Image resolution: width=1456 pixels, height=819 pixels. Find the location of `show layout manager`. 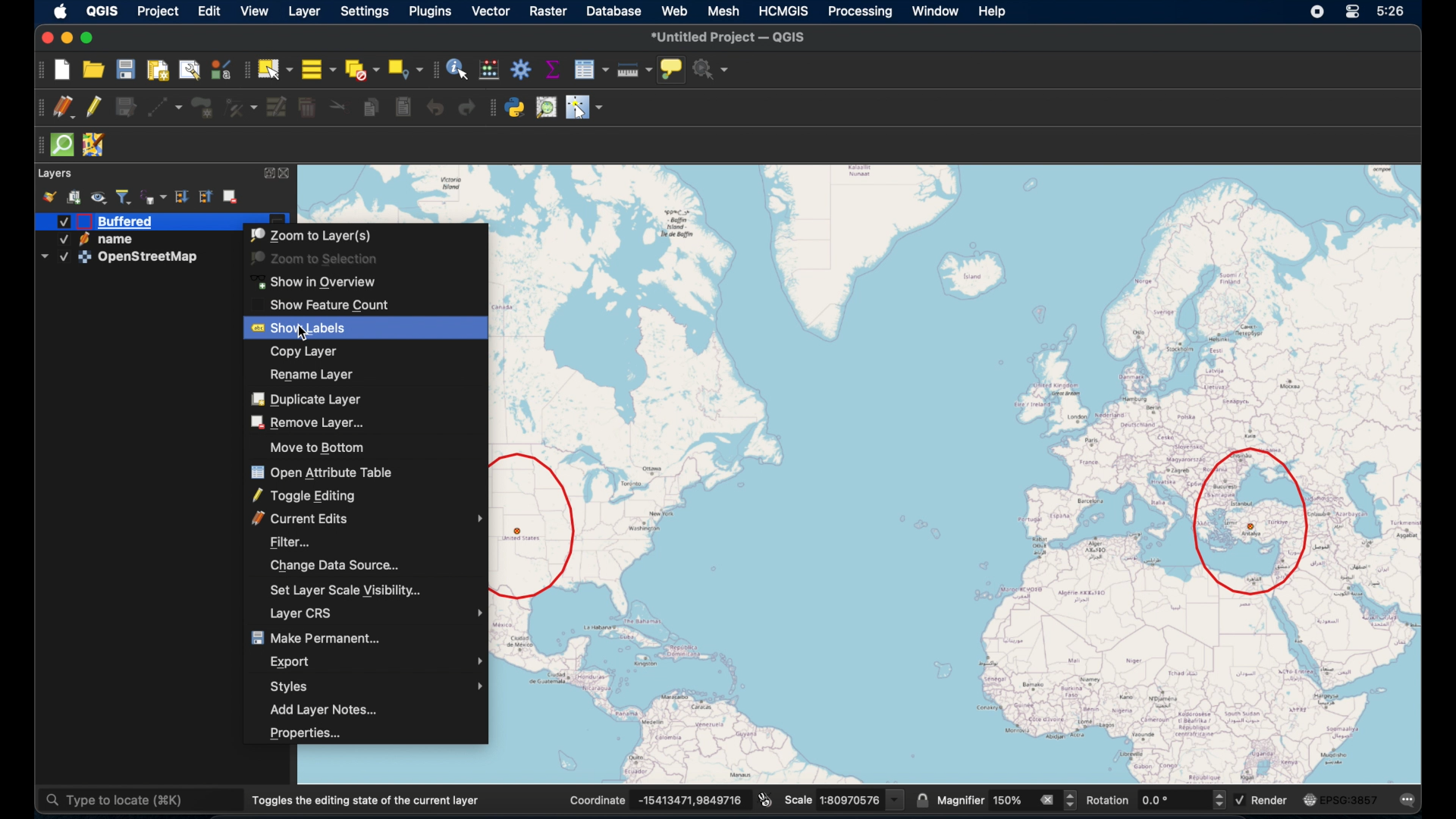

show layout manager is located at coordinates (189, 71).